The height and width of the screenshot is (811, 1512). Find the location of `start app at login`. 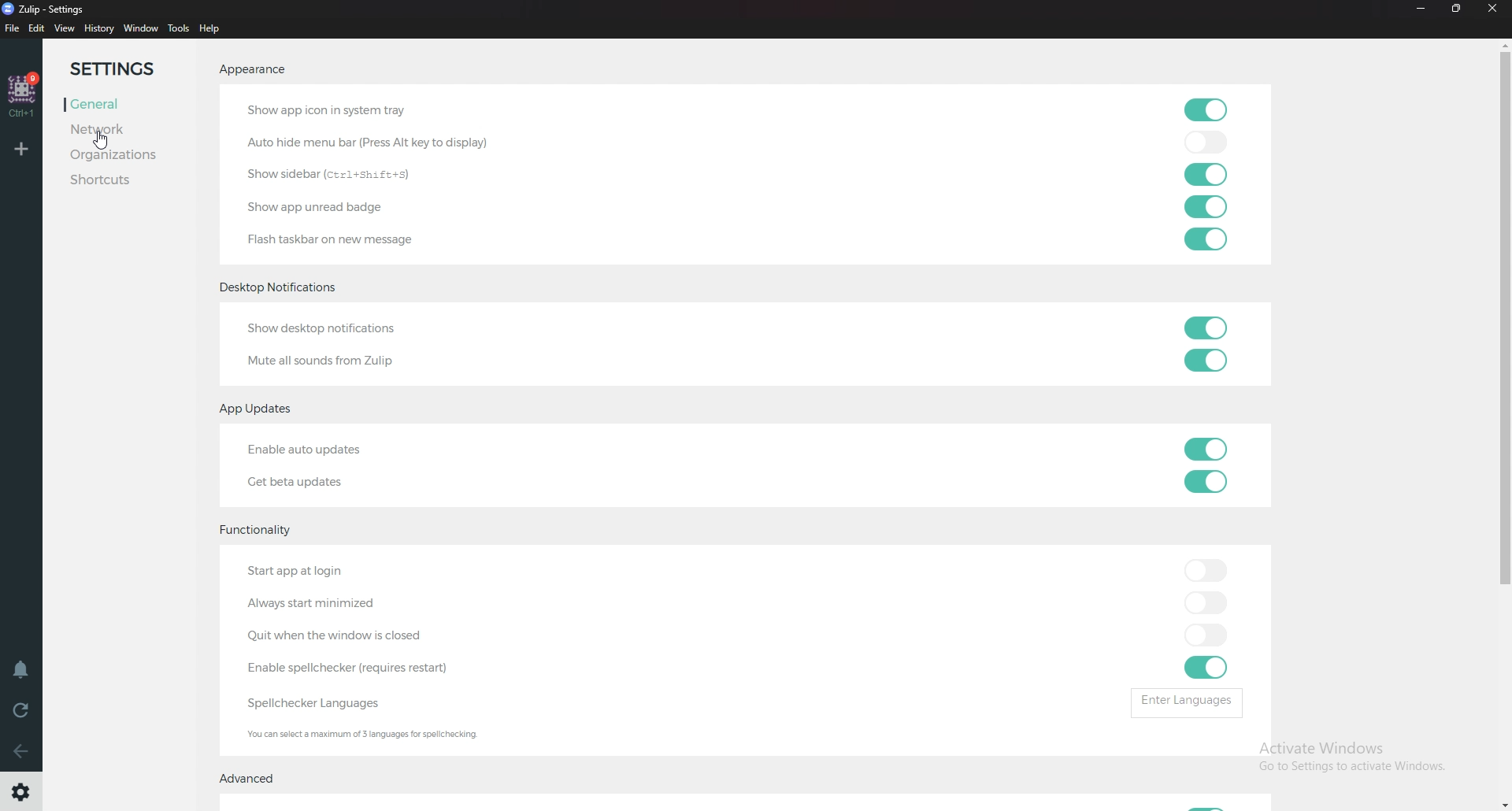

start app at login is located at coordinates (338, 570).